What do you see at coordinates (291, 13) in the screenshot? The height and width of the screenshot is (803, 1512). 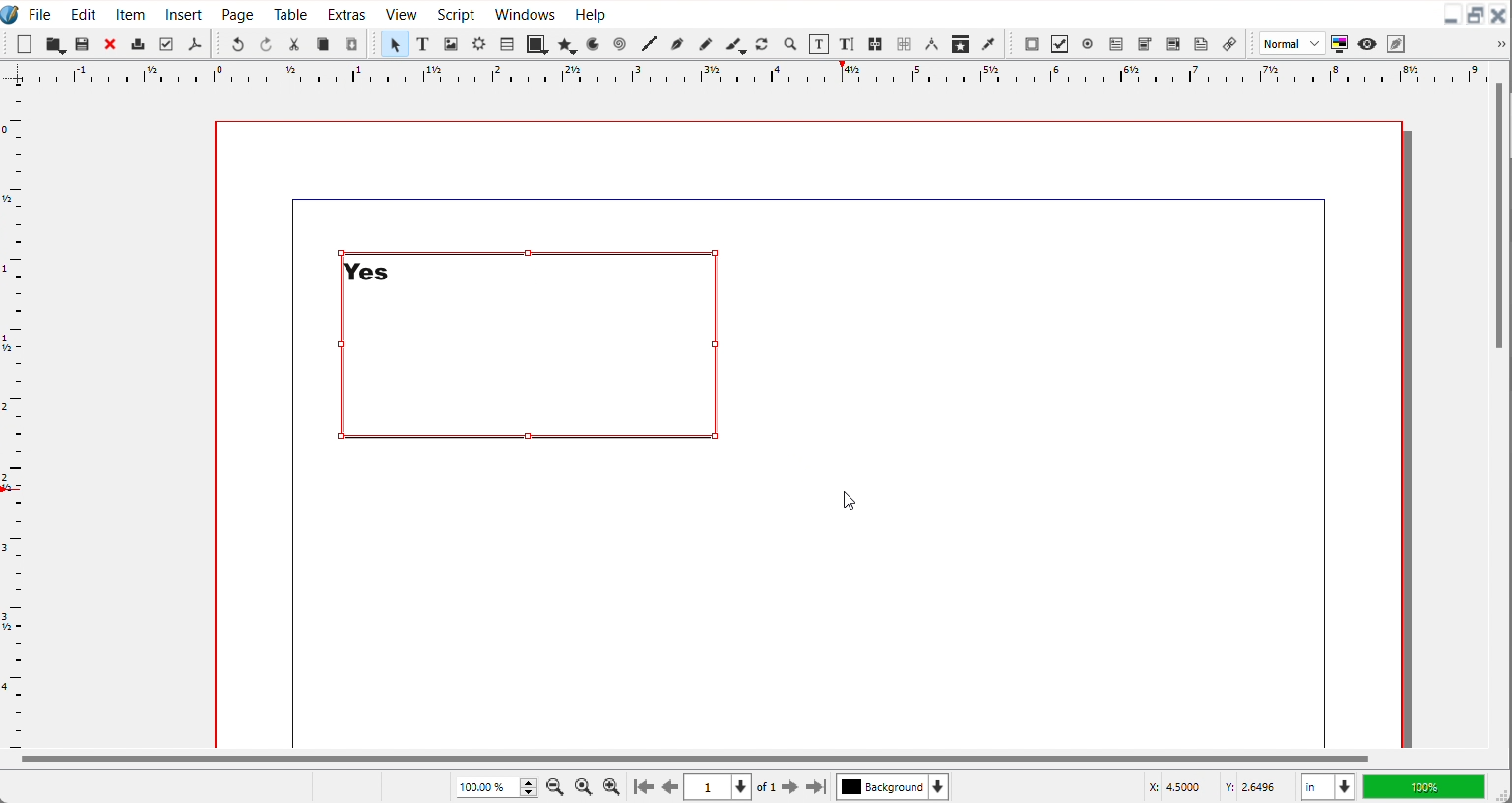 I see `Table` at bounding box center [291, 13].